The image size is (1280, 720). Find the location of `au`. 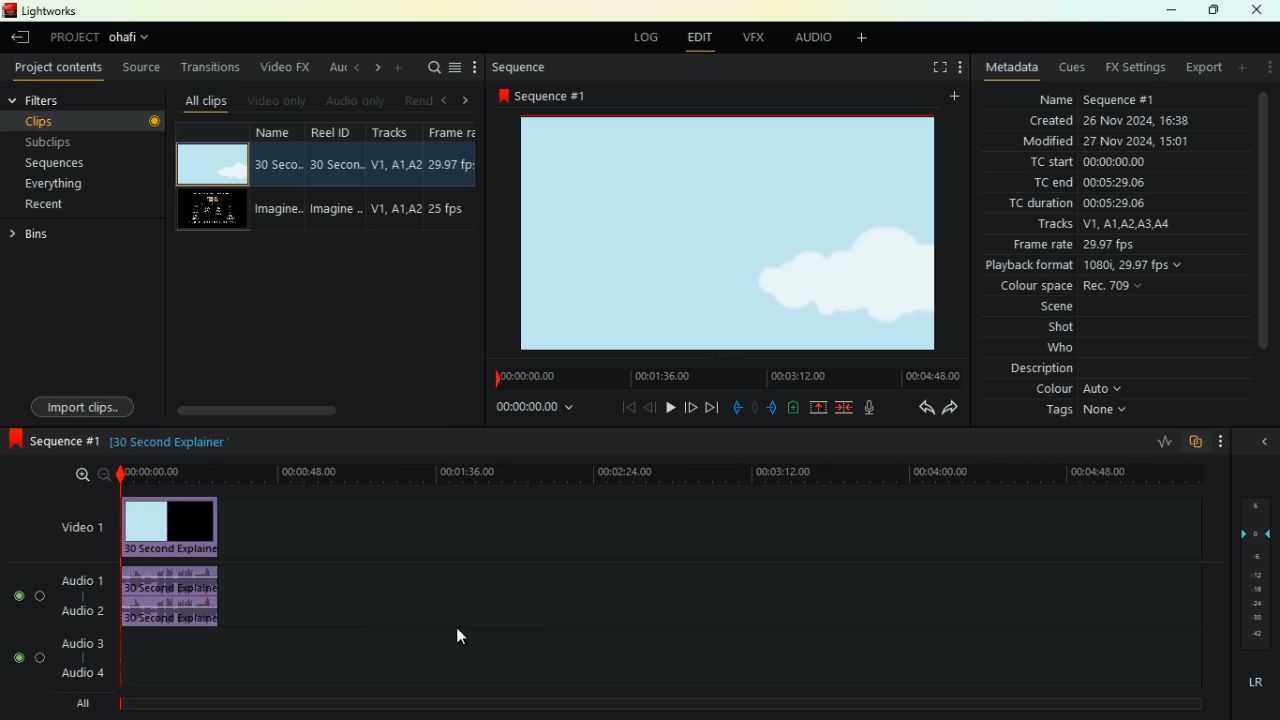

au is located at coordinates (334, 68).